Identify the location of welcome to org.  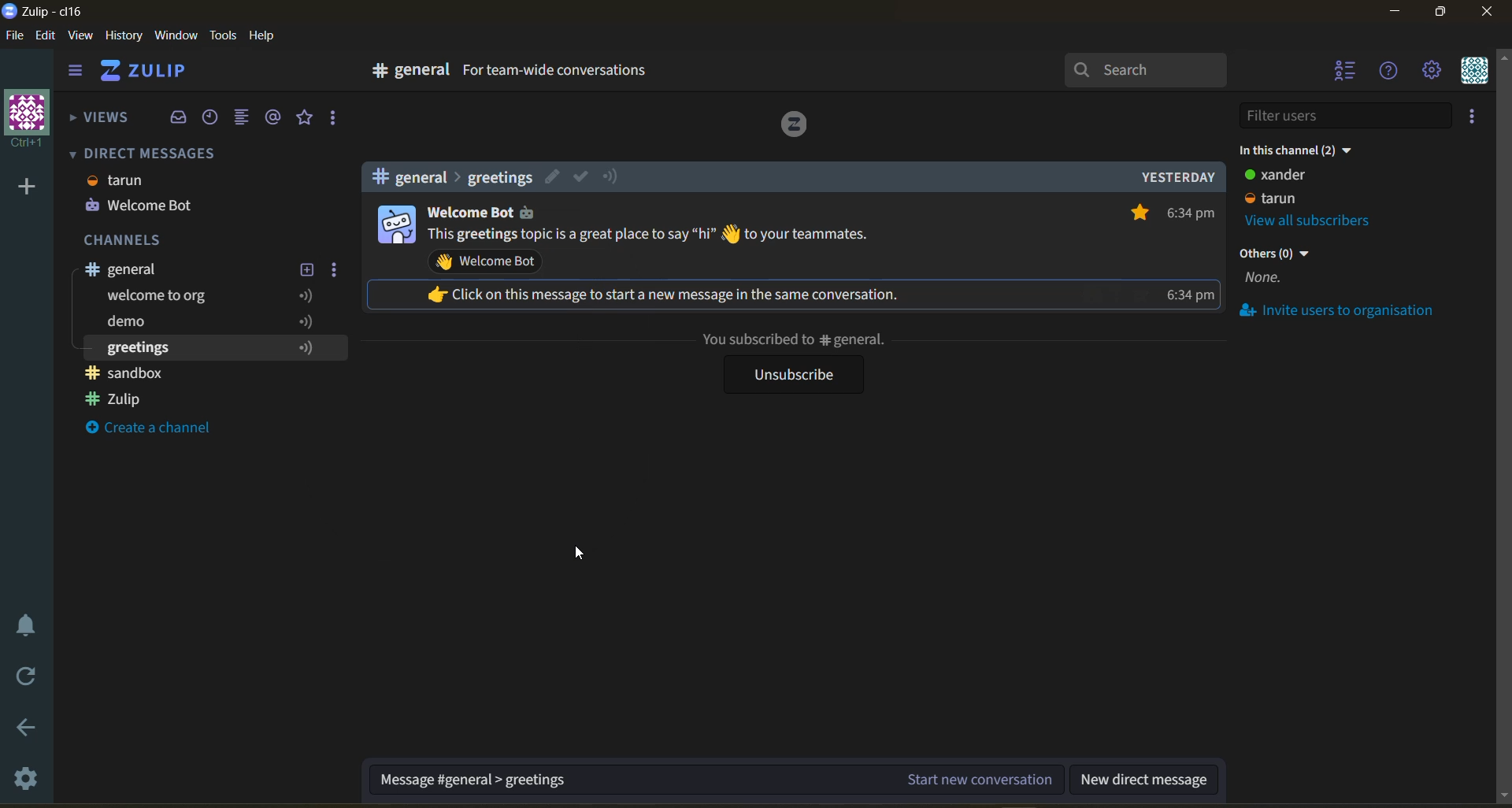
(161, 297).